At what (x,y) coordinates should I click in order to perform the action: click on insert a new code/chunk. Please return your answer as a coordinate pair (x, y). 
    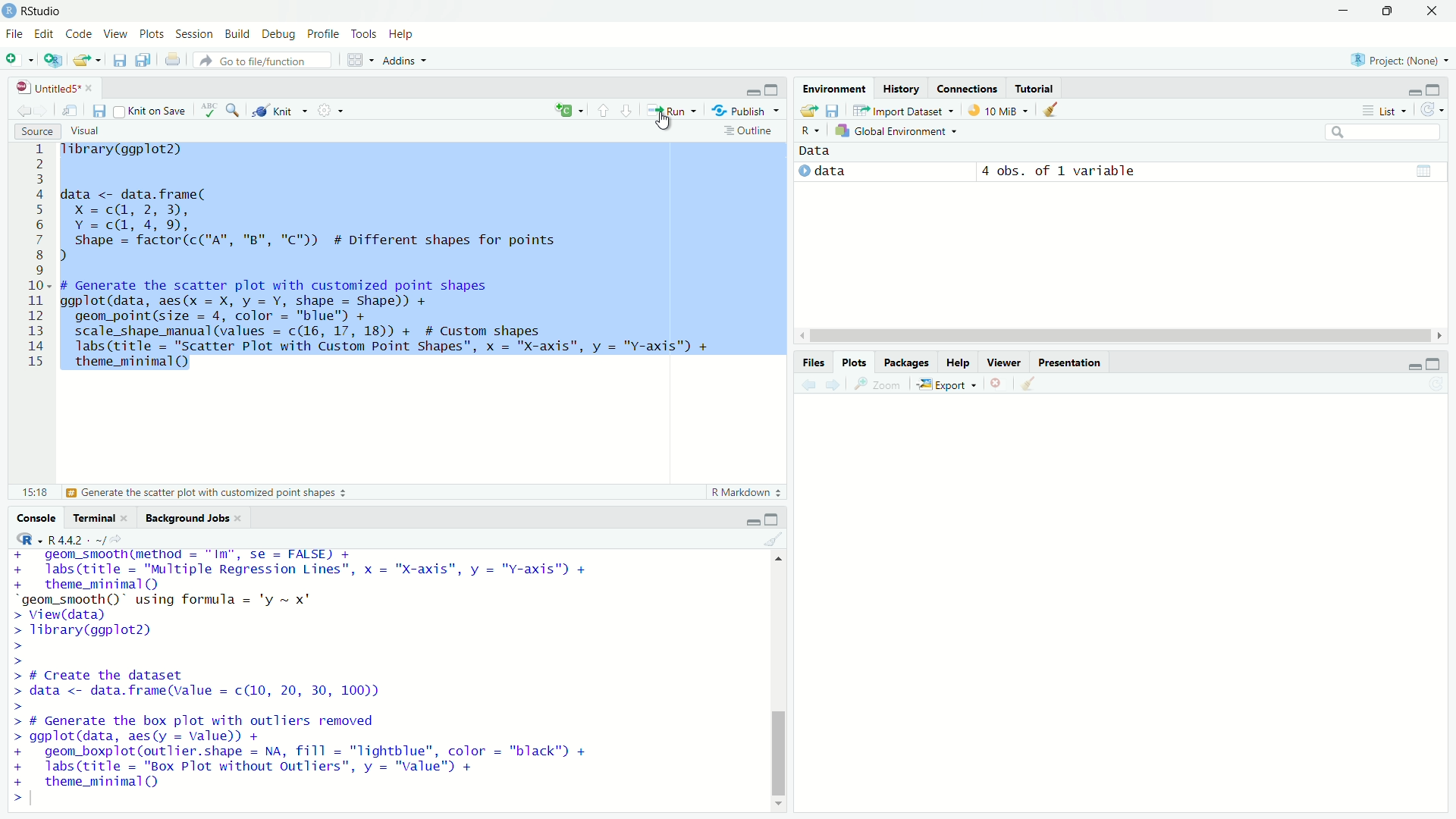
    Looking at the image, I should click on (570, 109).